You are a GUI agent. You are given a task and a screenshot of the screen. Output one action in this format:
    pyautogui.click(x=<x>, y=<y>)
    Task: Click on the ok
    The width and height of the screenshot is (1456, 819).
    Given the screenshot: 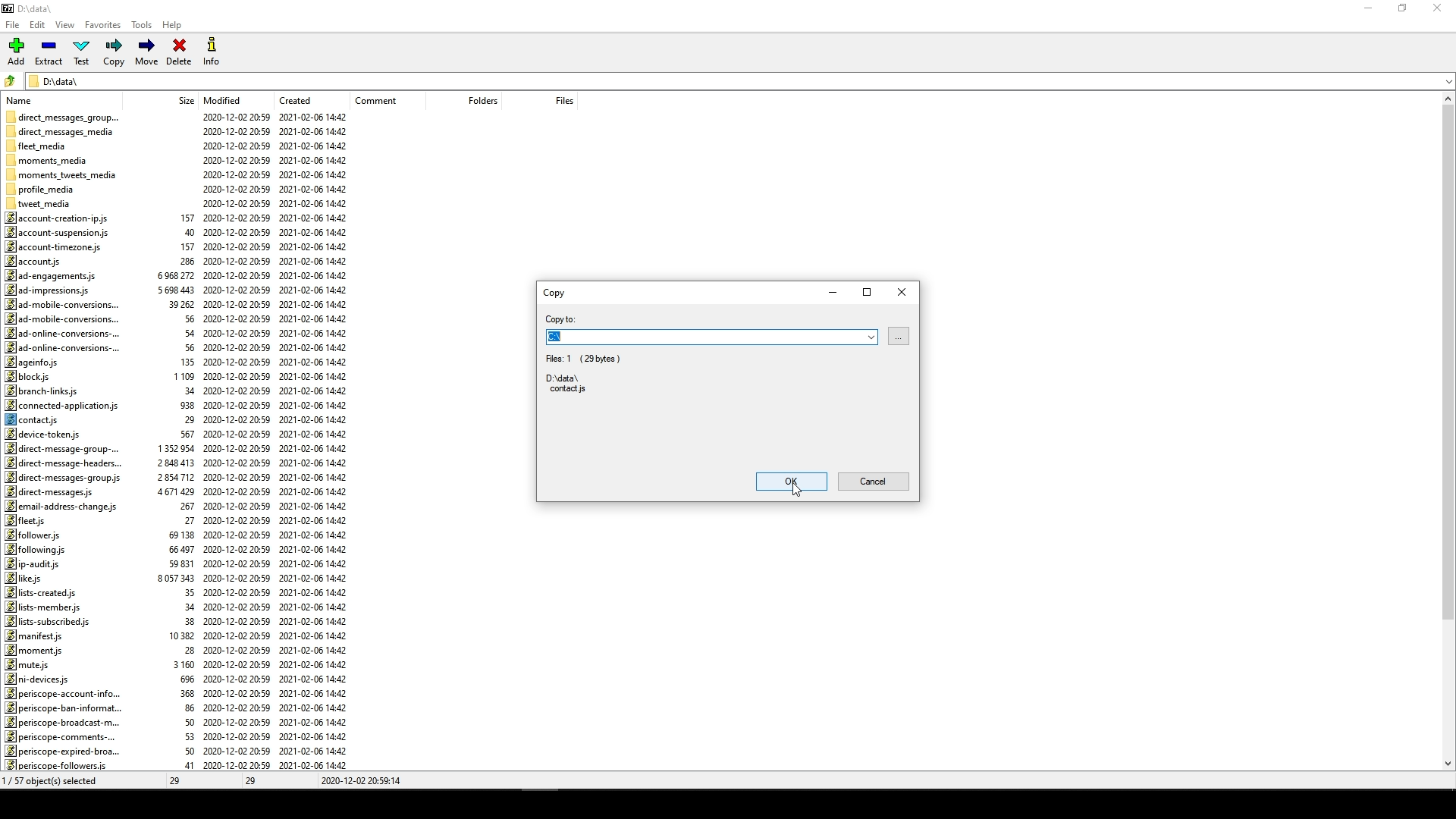 What is the action you would take?
    pyautogui.click(x=787, y=480)
    